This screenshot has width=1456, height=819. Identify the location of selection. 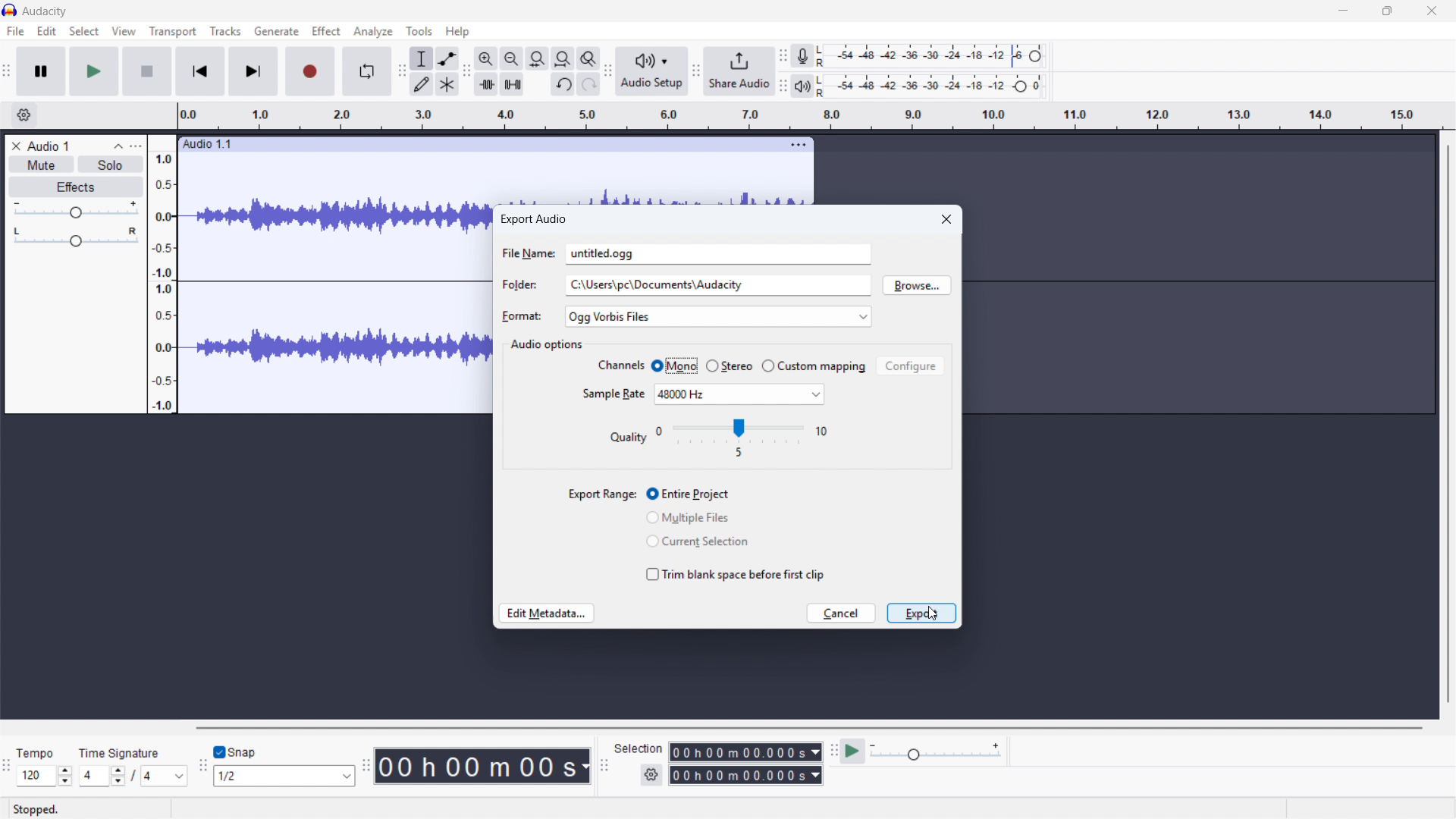
(639, 748).